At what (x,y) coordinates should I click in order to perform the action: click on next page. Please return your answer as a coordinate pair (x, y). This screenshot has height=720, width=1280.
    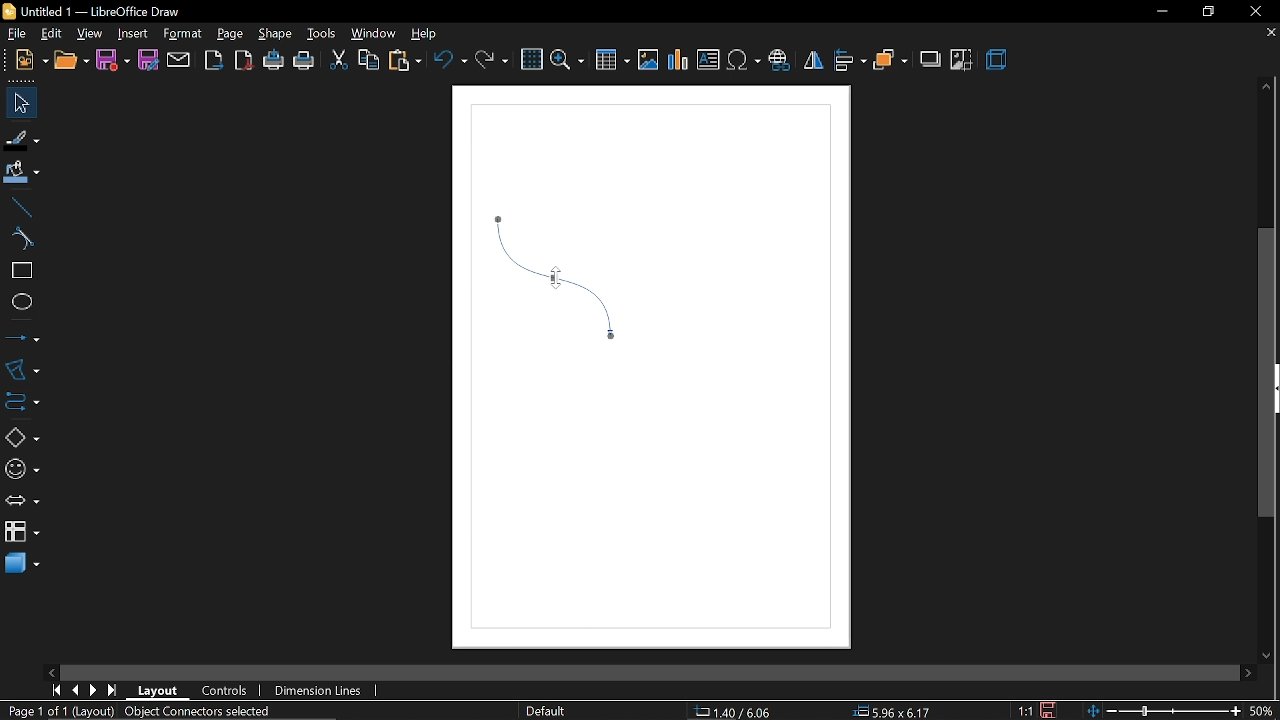
    Looking at the image, I should click on (93, 690).